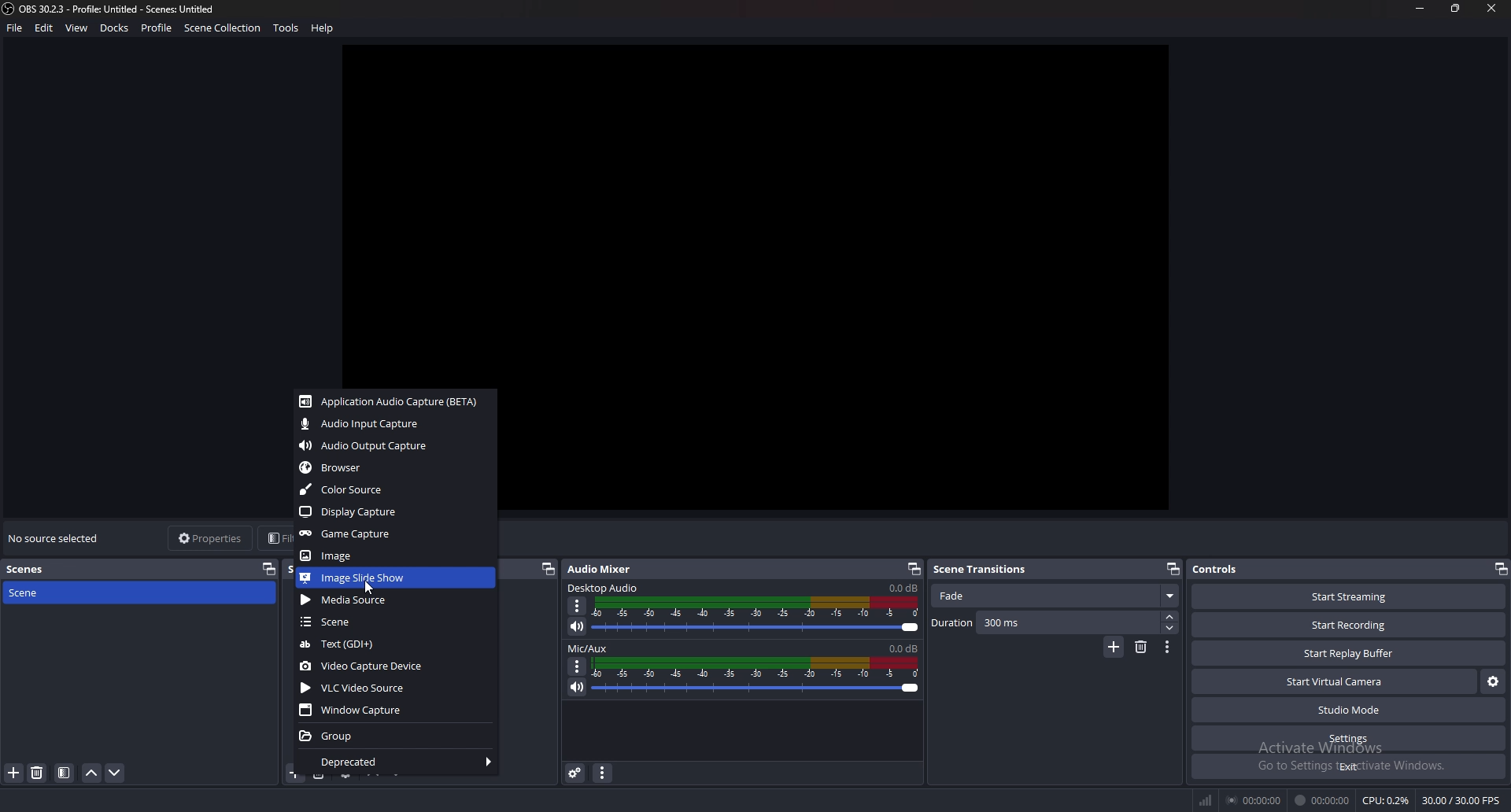 The height and width of the screenshot is (812, 1511). Describe the element at coordinates (393, 468) in the screenshot. I see `browser` at that location.